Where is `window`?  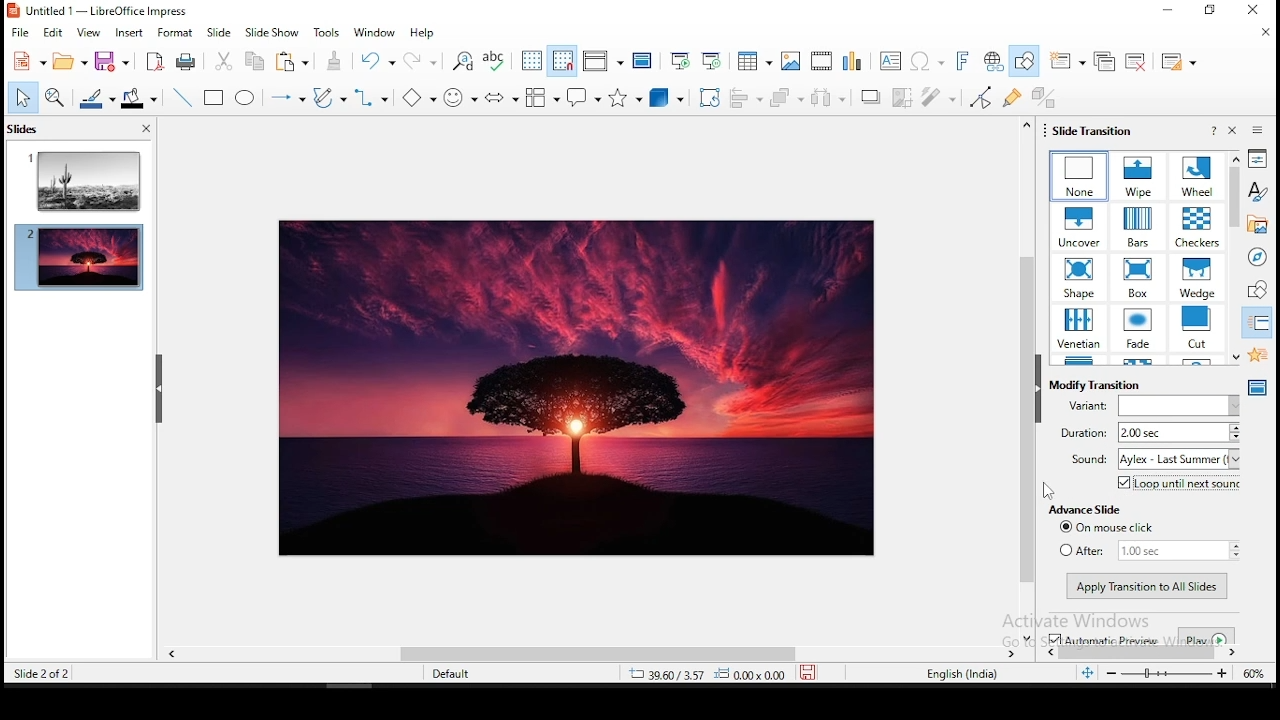
window is located at coordinates (375, 33).